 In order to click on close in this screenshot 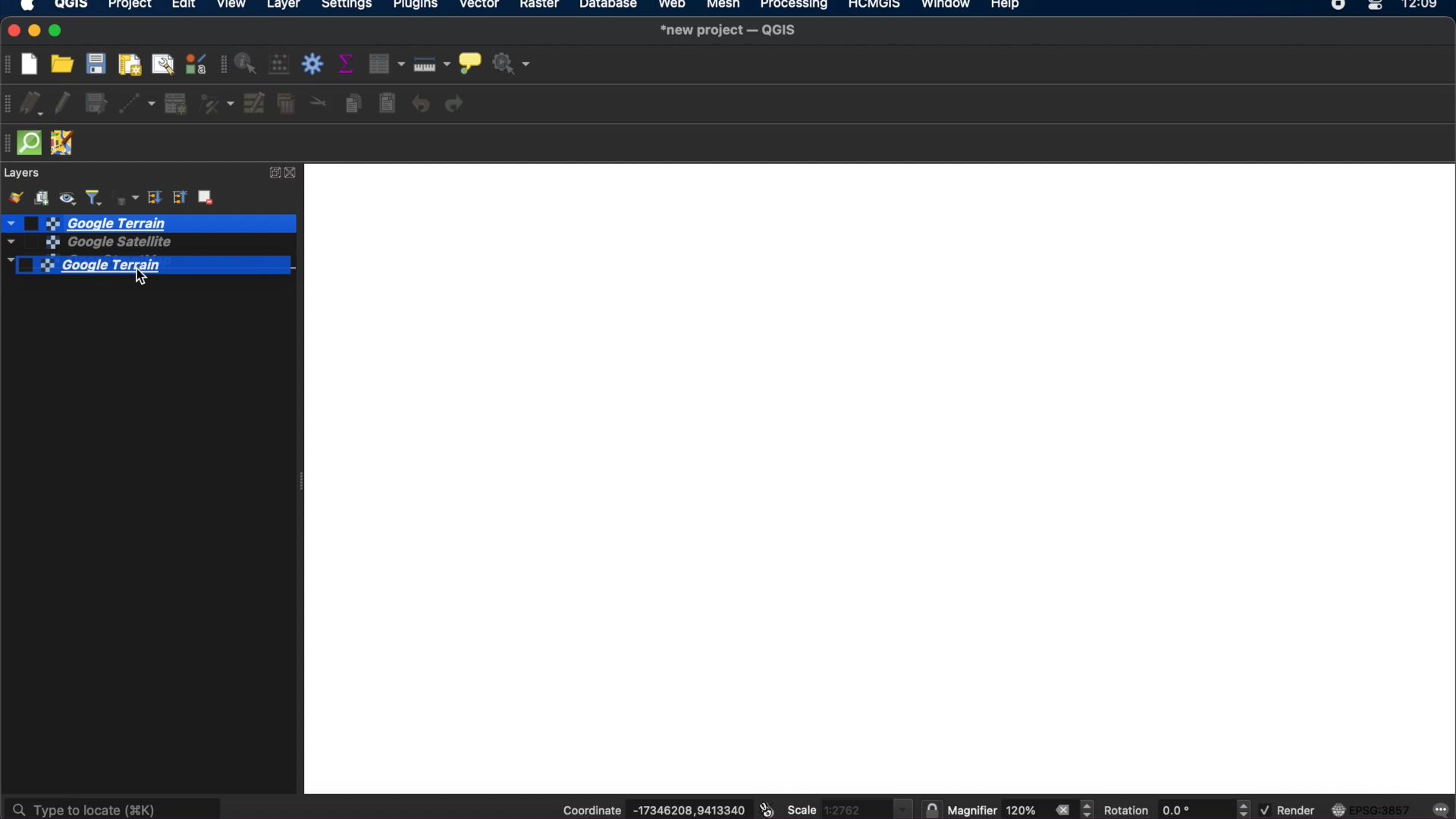, I will do `click(294, 173)`.